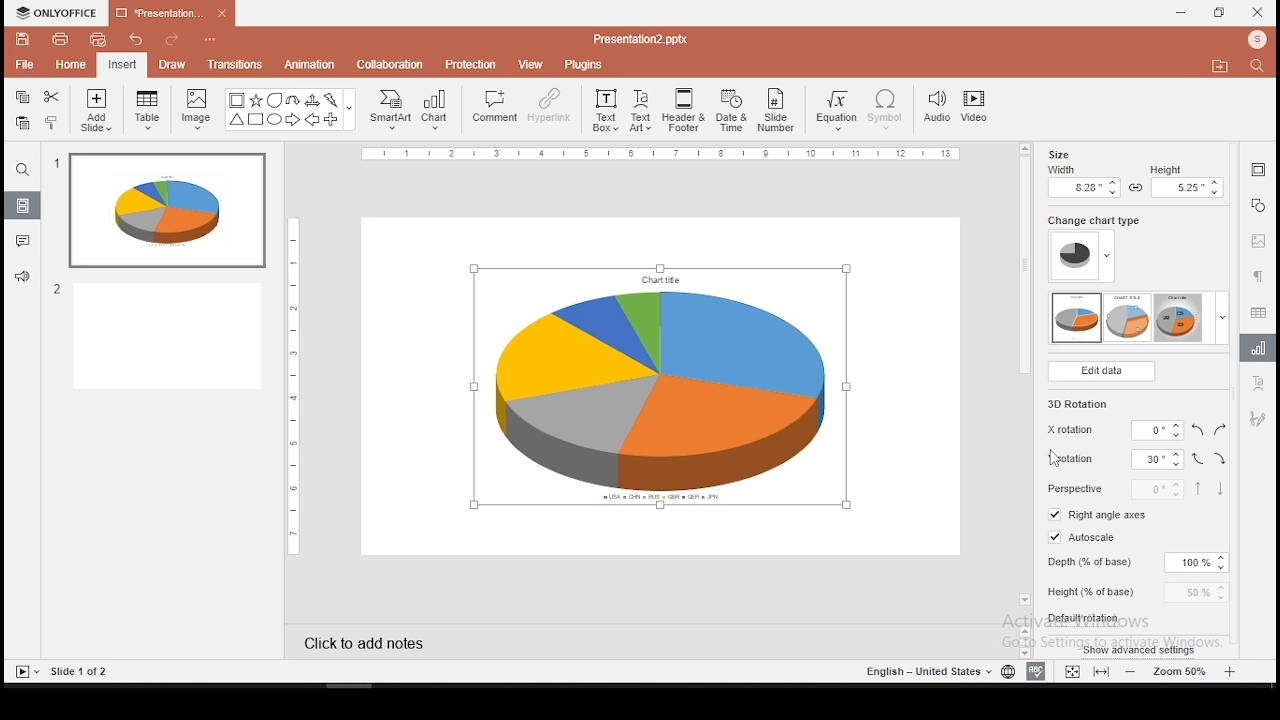 The height and width of the screenshot is (720, 1280). What do you see at coordinates (1220, 66) in the screenshot?
I see `Folder` at bounding box center [1220, 66].